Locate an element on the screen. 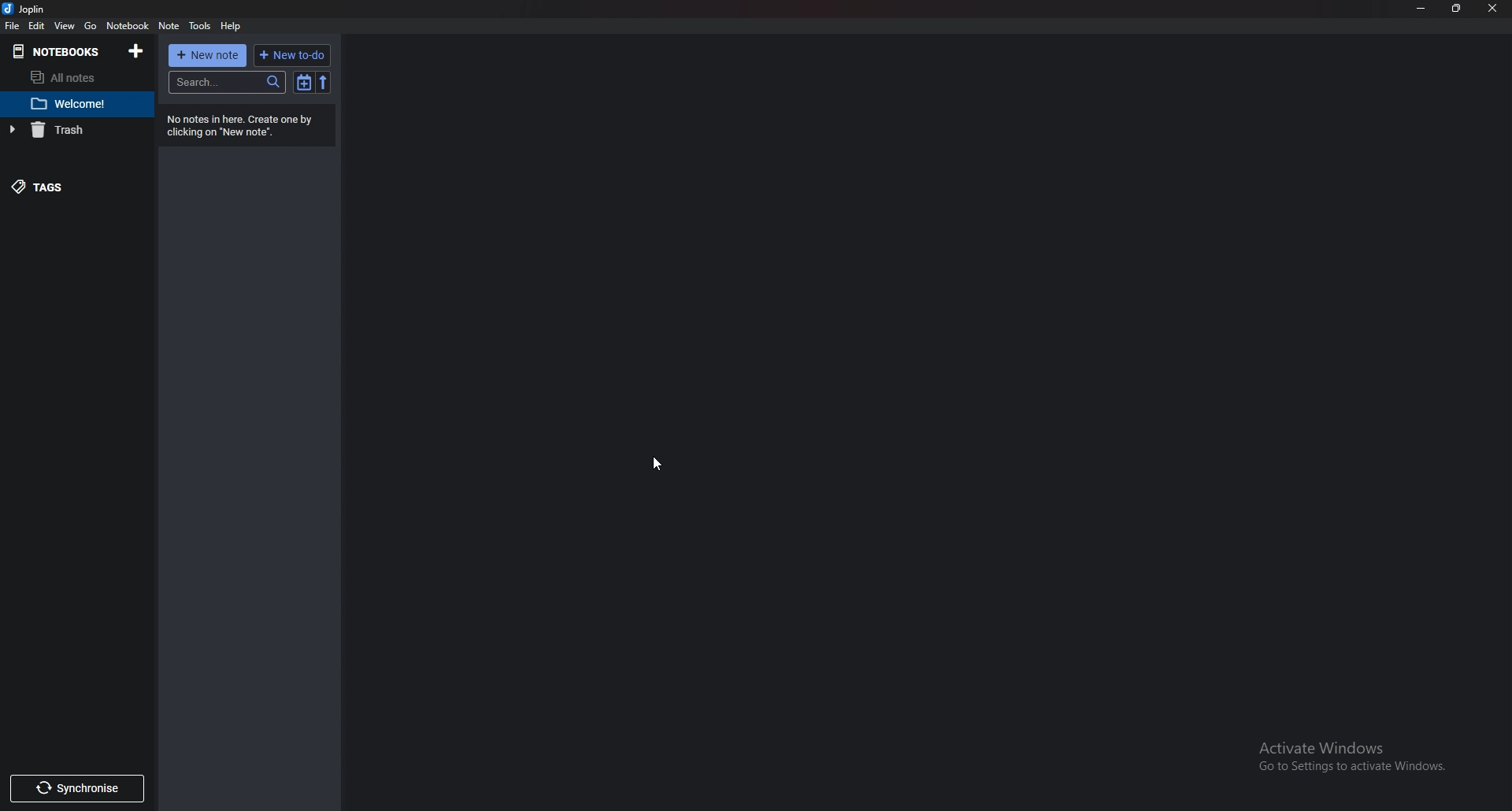  Reverse sort order is located at coordinates (324, 82).